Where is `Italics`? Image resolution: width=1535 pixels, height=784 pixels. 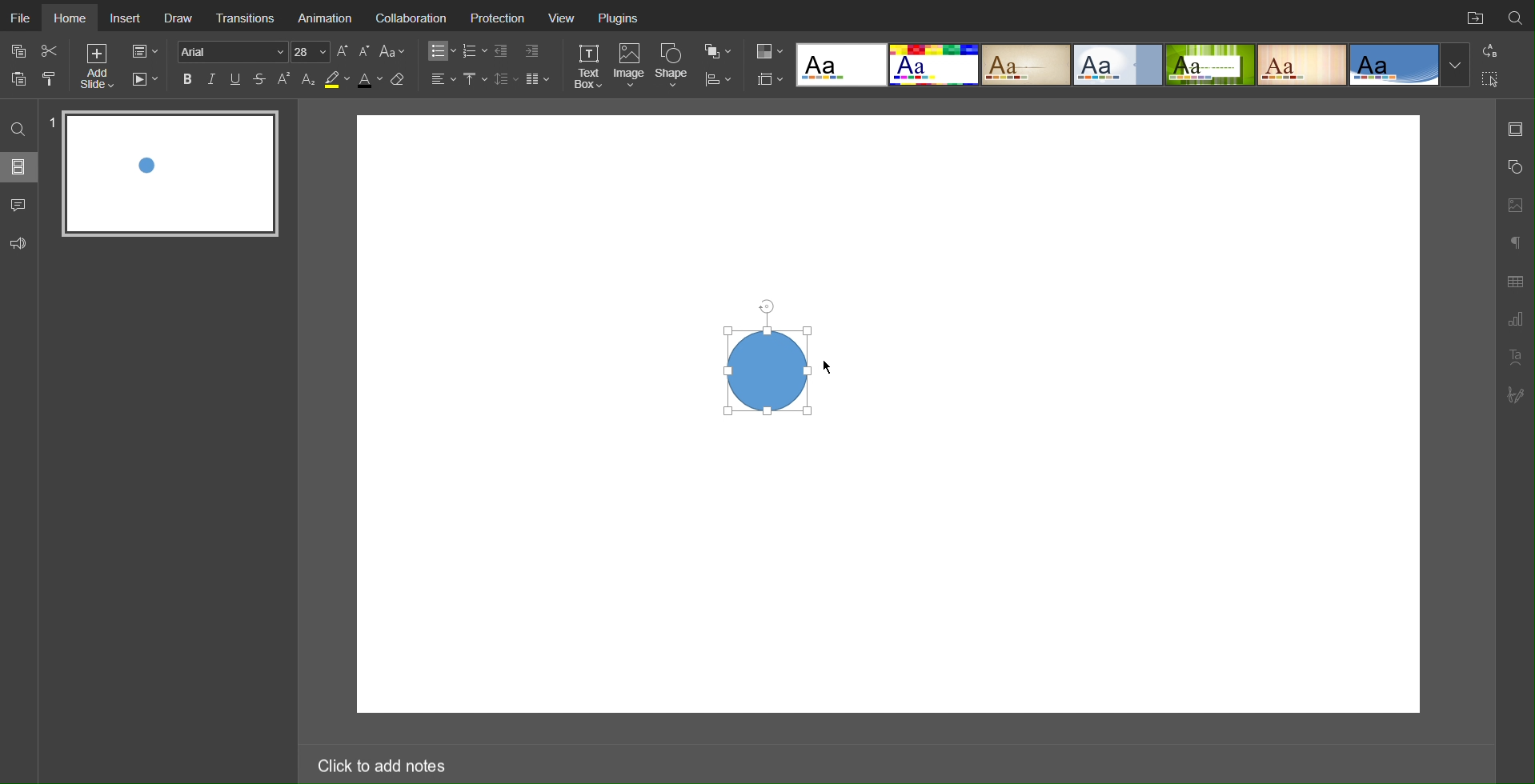
Italics is located at coordinates (212, 79).